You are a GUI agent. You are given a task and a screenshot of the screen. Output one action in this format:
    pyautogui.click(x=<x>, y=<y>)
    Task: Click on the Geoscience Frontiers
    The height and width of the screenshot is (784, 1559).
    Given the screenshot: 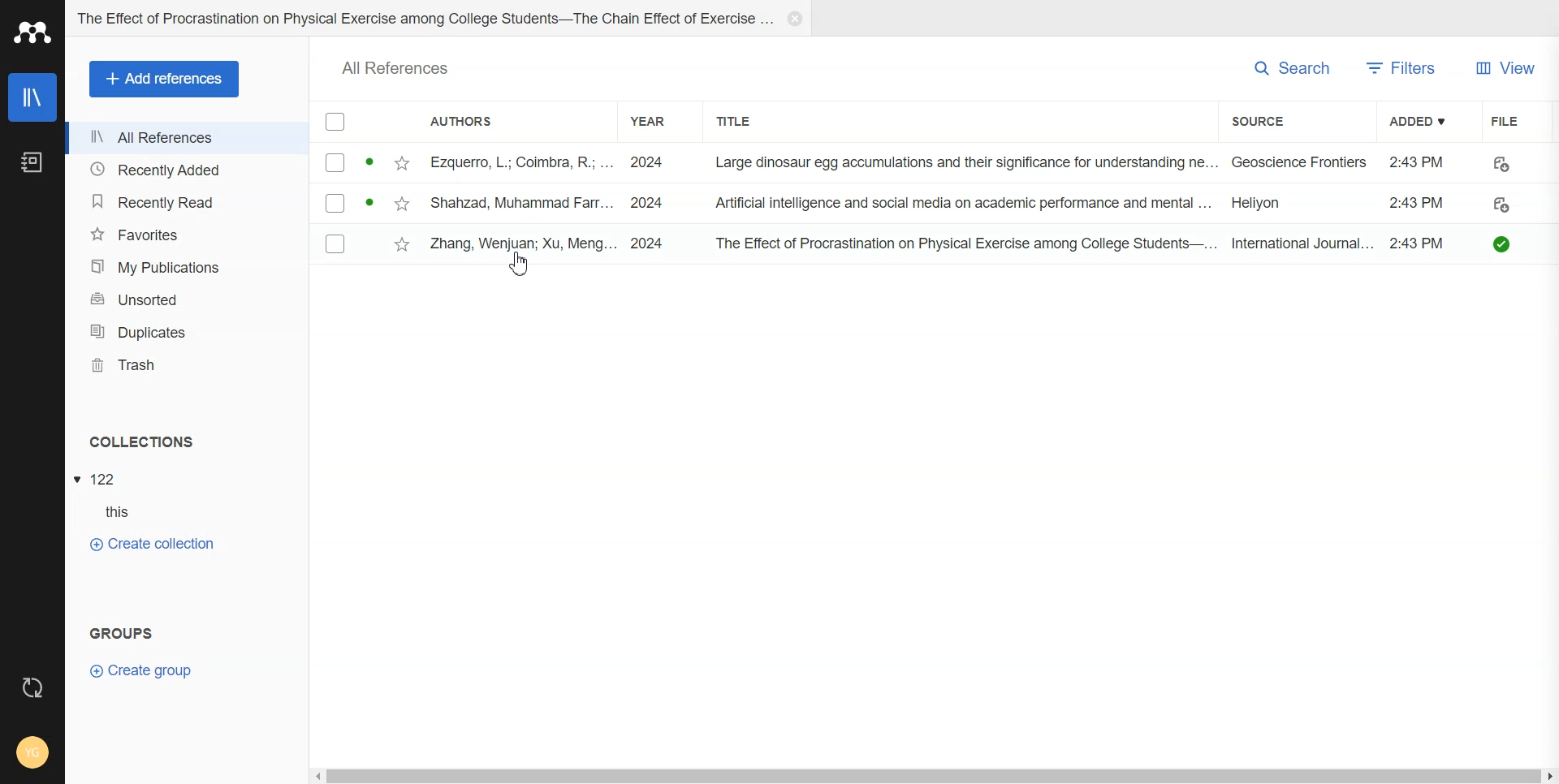 What is the action you would take?
    pyautogui.click(x=1304, y=162)
    